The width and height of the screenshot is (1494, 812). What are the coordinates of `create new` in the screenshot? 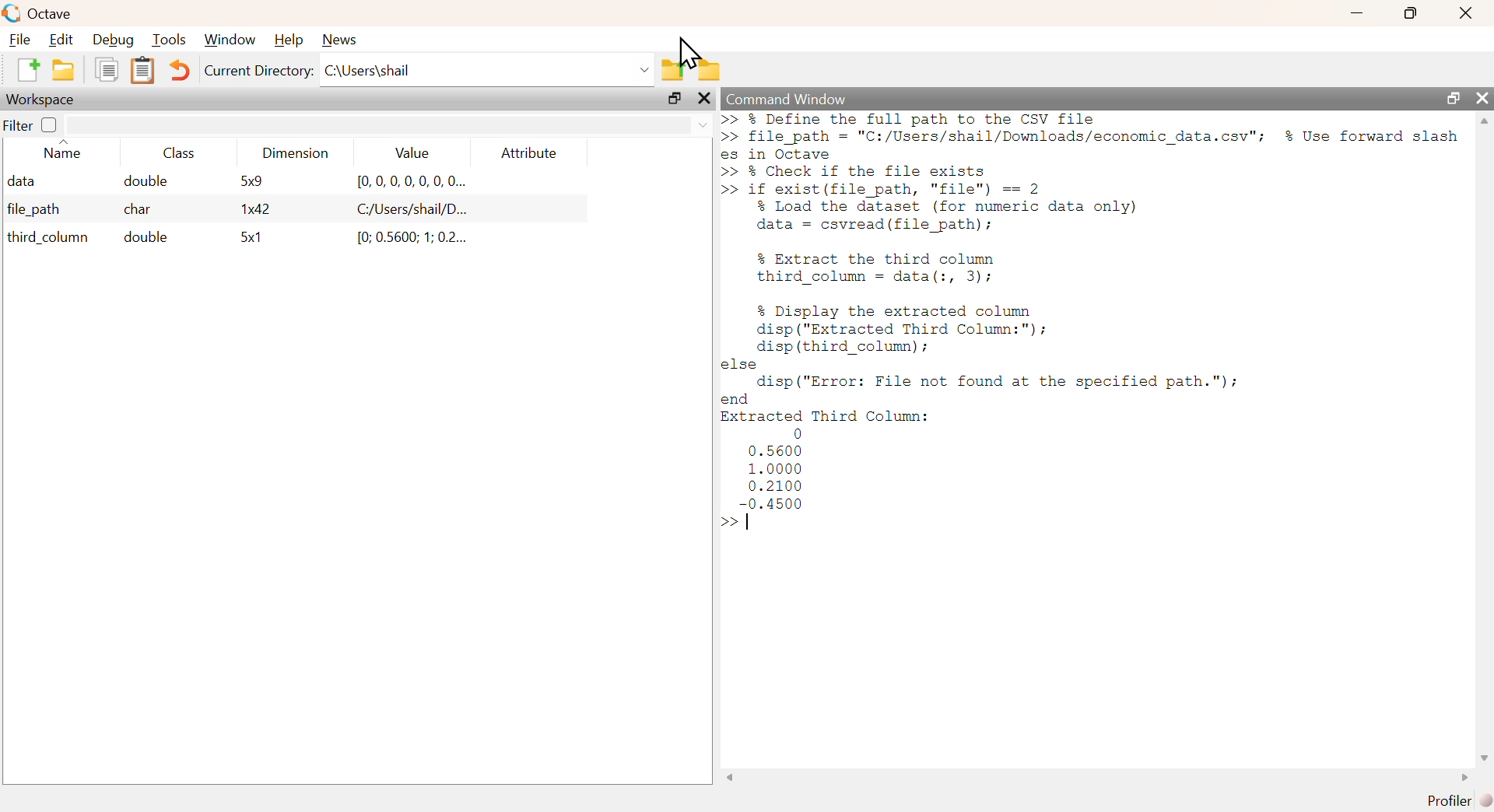 It's located at (26, 71).